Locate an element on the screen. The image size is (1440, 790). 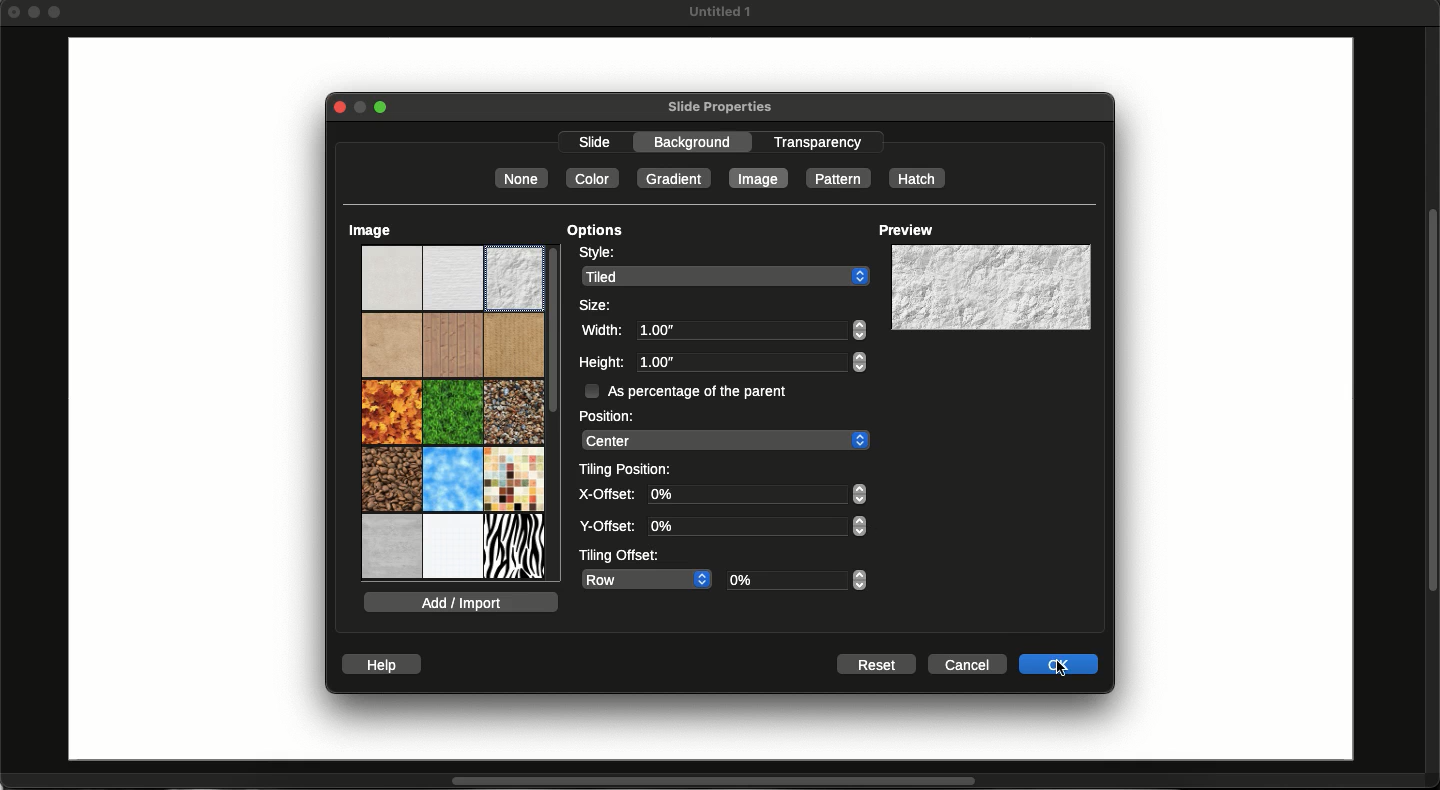
Help is located at coordinates (384, 665).